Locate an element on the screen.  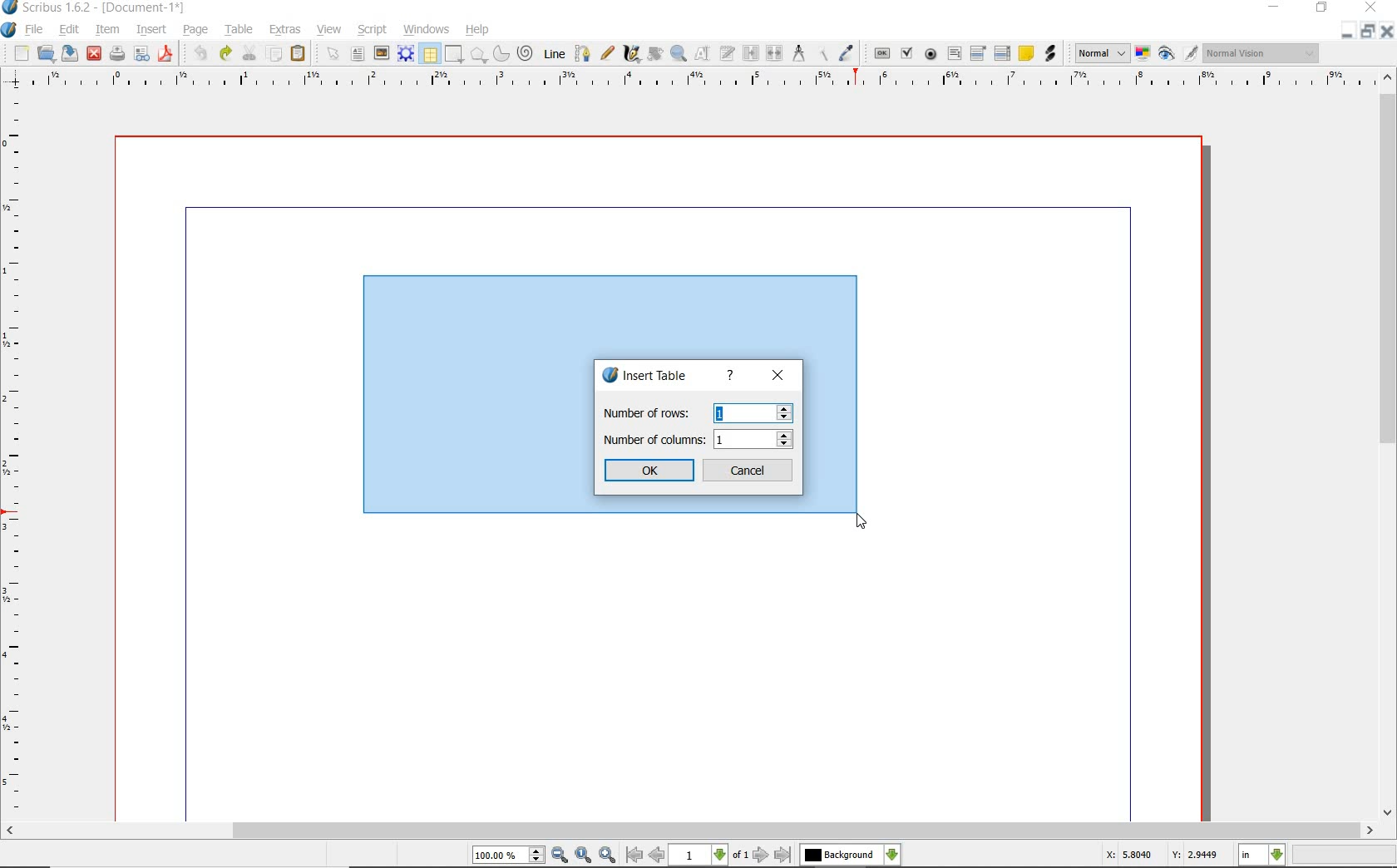
extras is located at coordinates (285, 30).